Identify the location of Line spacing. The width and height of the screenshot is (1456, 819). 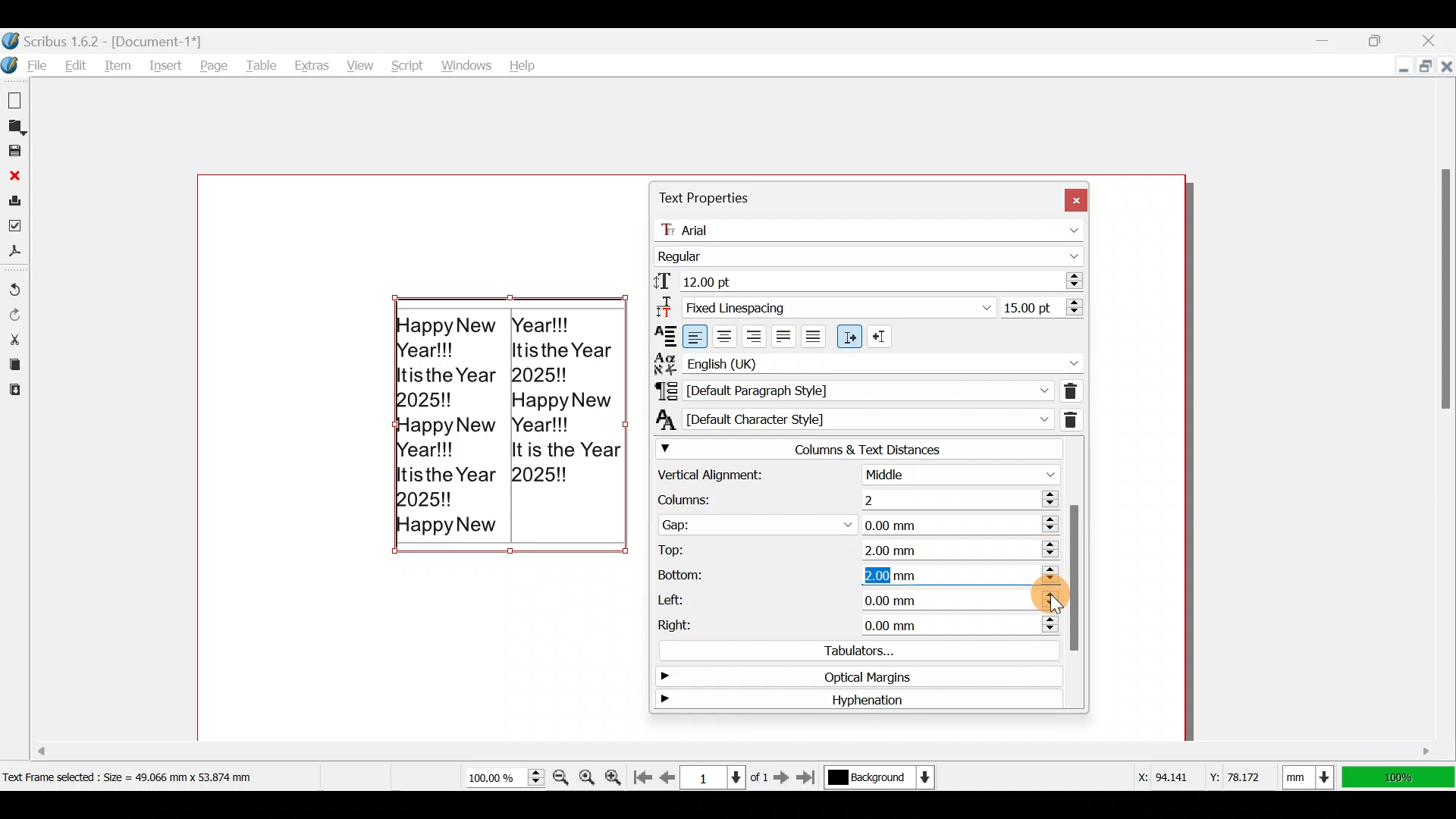
(1042, 306).